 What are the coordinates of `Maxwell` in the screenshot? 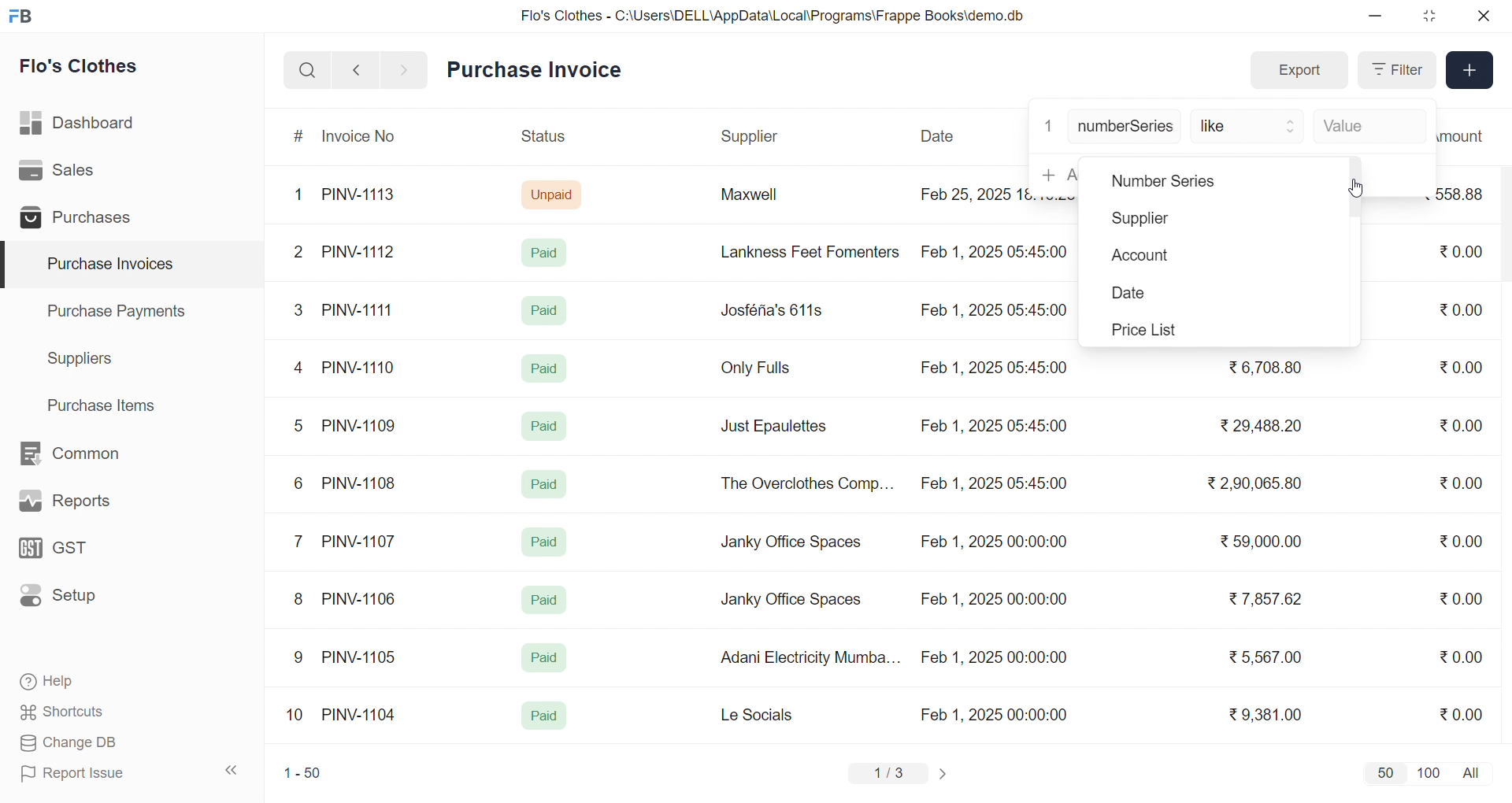 It's located at (767, 200).